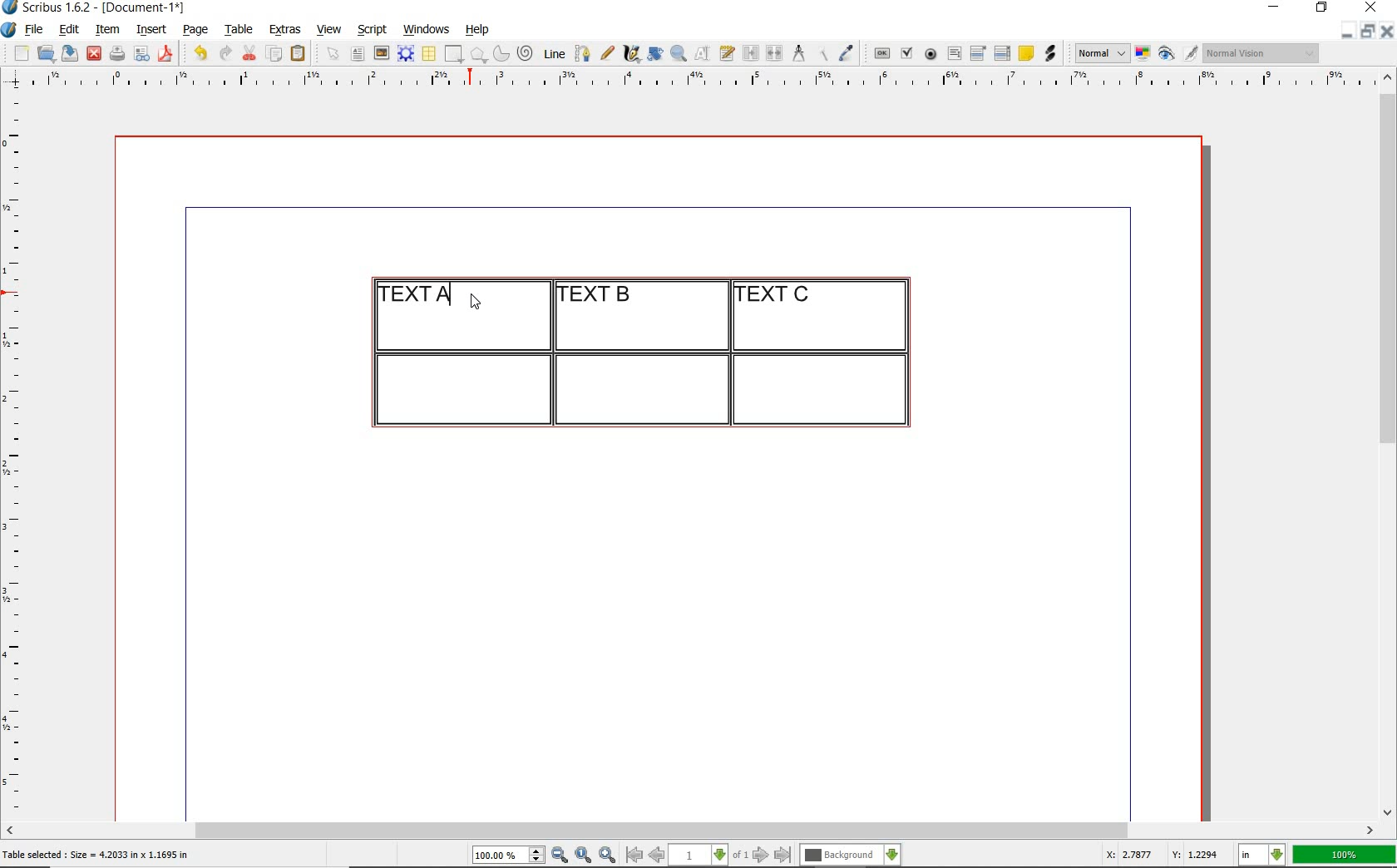  What do you see at coordinates (655, 53) in the screenshot?
I see `rotate item` at bounding box center [655, 53].